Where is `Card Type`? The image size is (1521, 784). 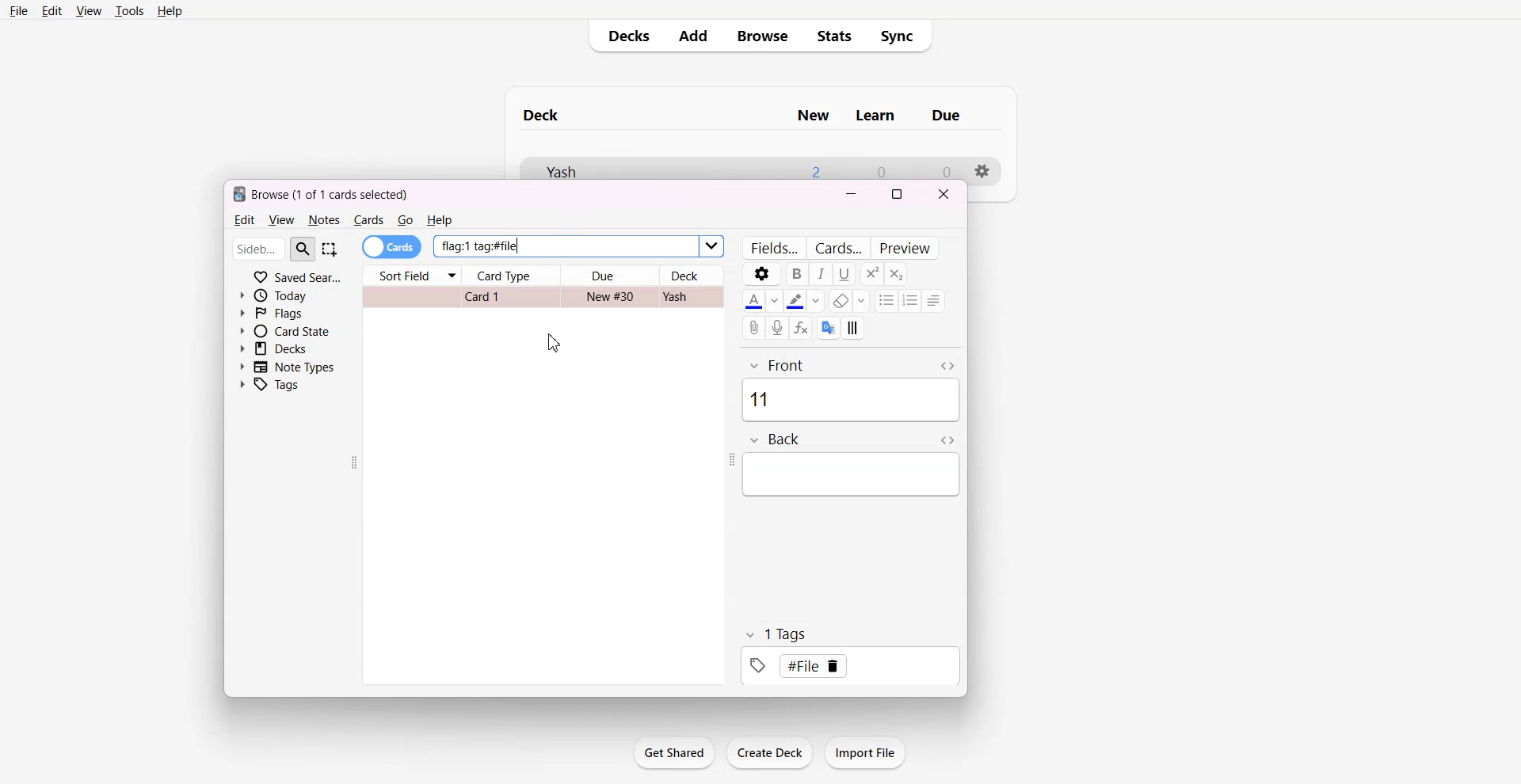
Card Type is located at coordinates (511, 276).